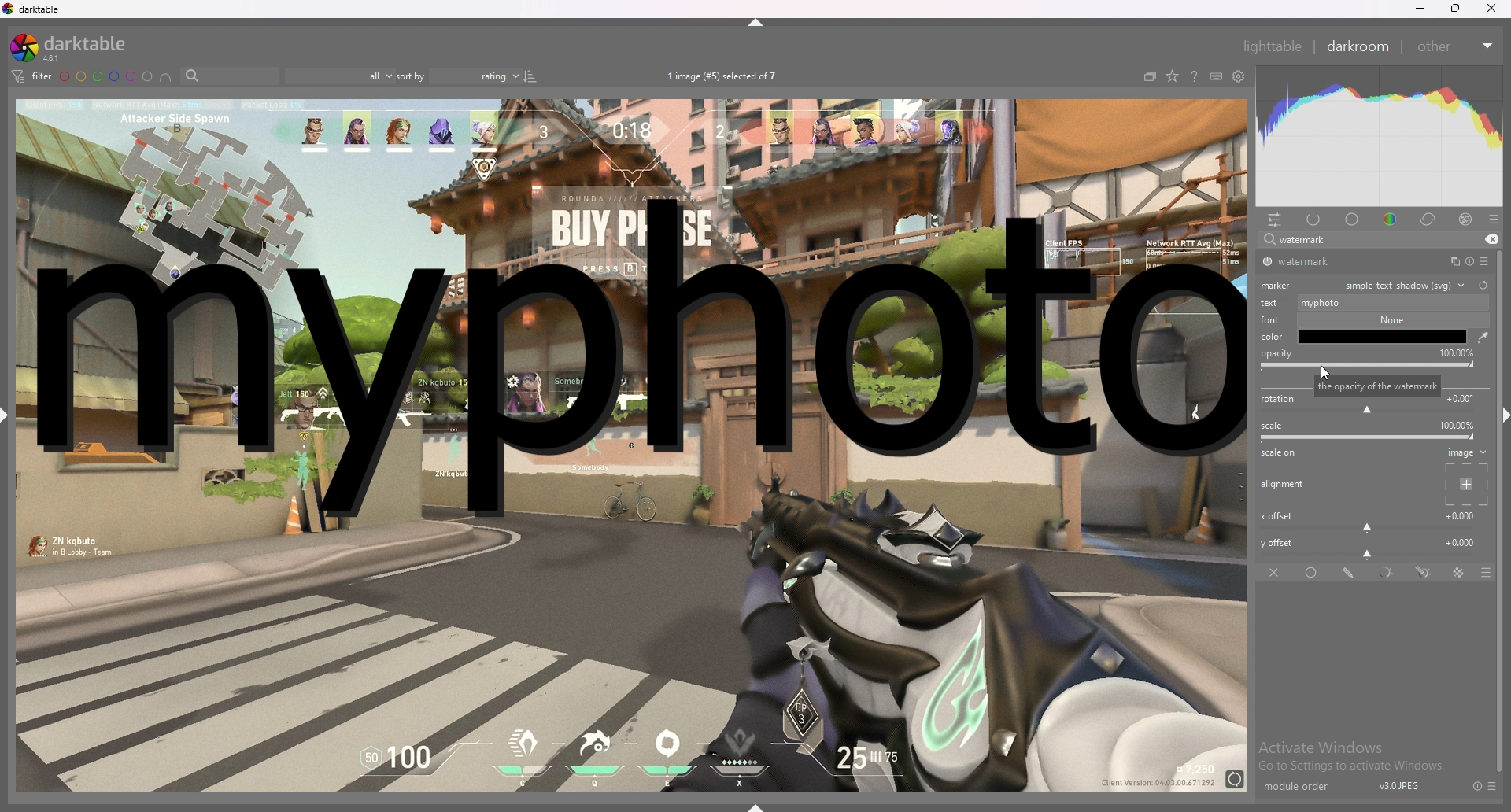 The height and width of the screenshot is (812, 1511). Describe the element at coordinates (1456, 9) in the screenshot. I see `resize` at that location.